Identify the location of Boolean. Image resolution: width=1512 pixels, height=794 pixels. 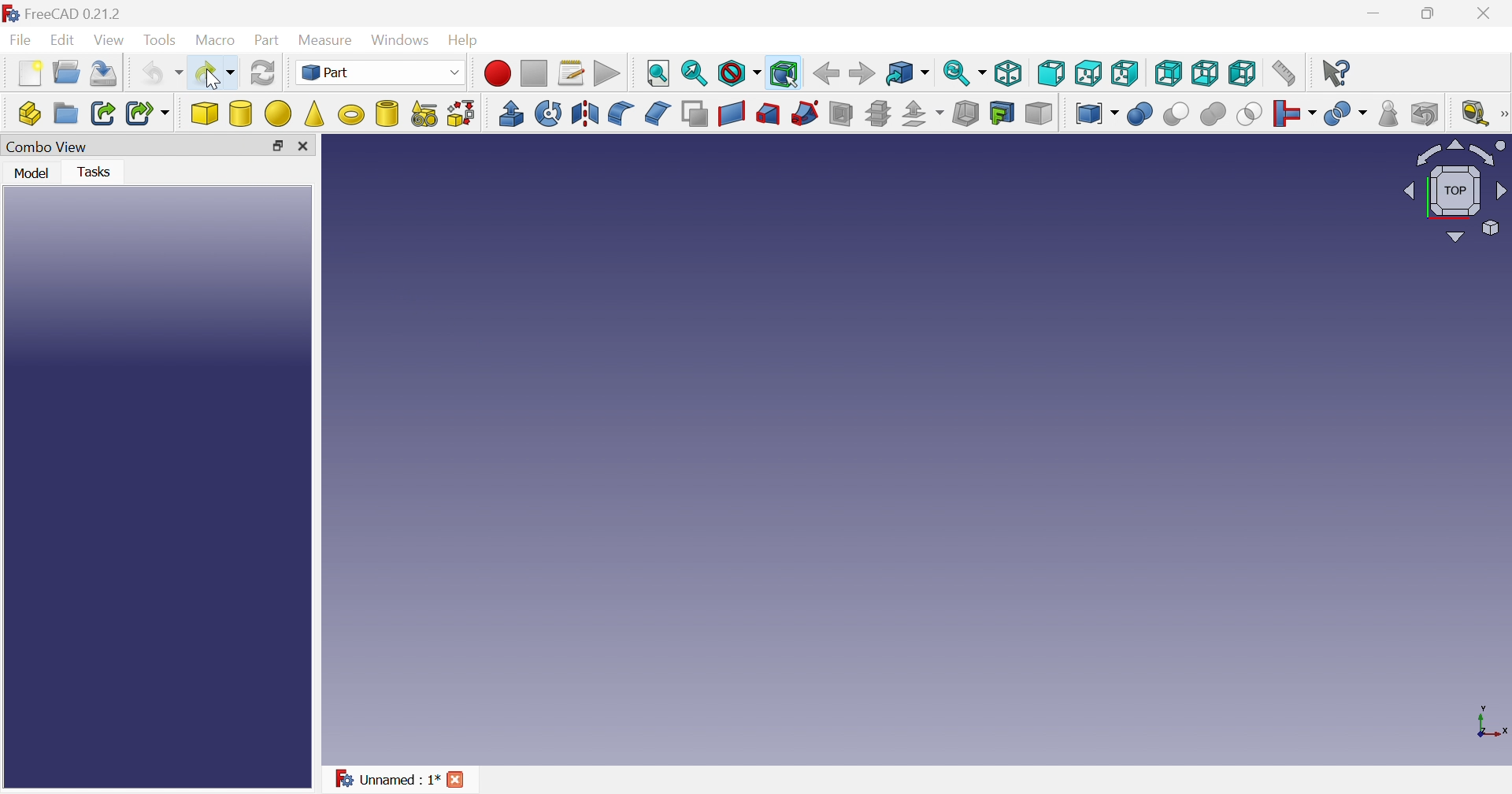
(1140, 117).